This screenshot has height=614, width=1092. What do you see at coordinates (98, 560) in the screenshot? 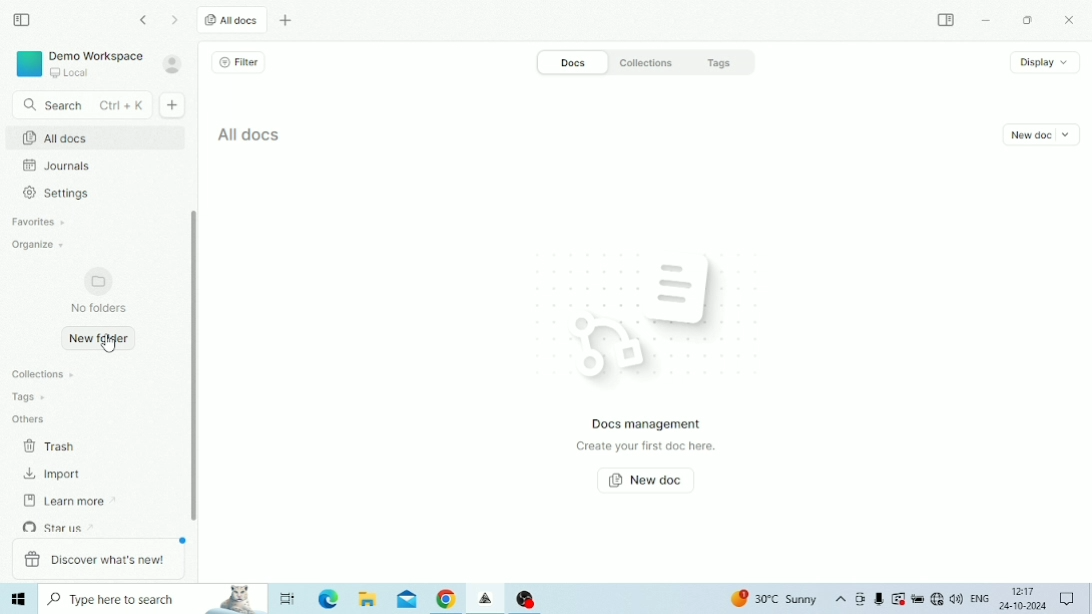
I see `Discover what's new!` at bounding box center [98, 560].